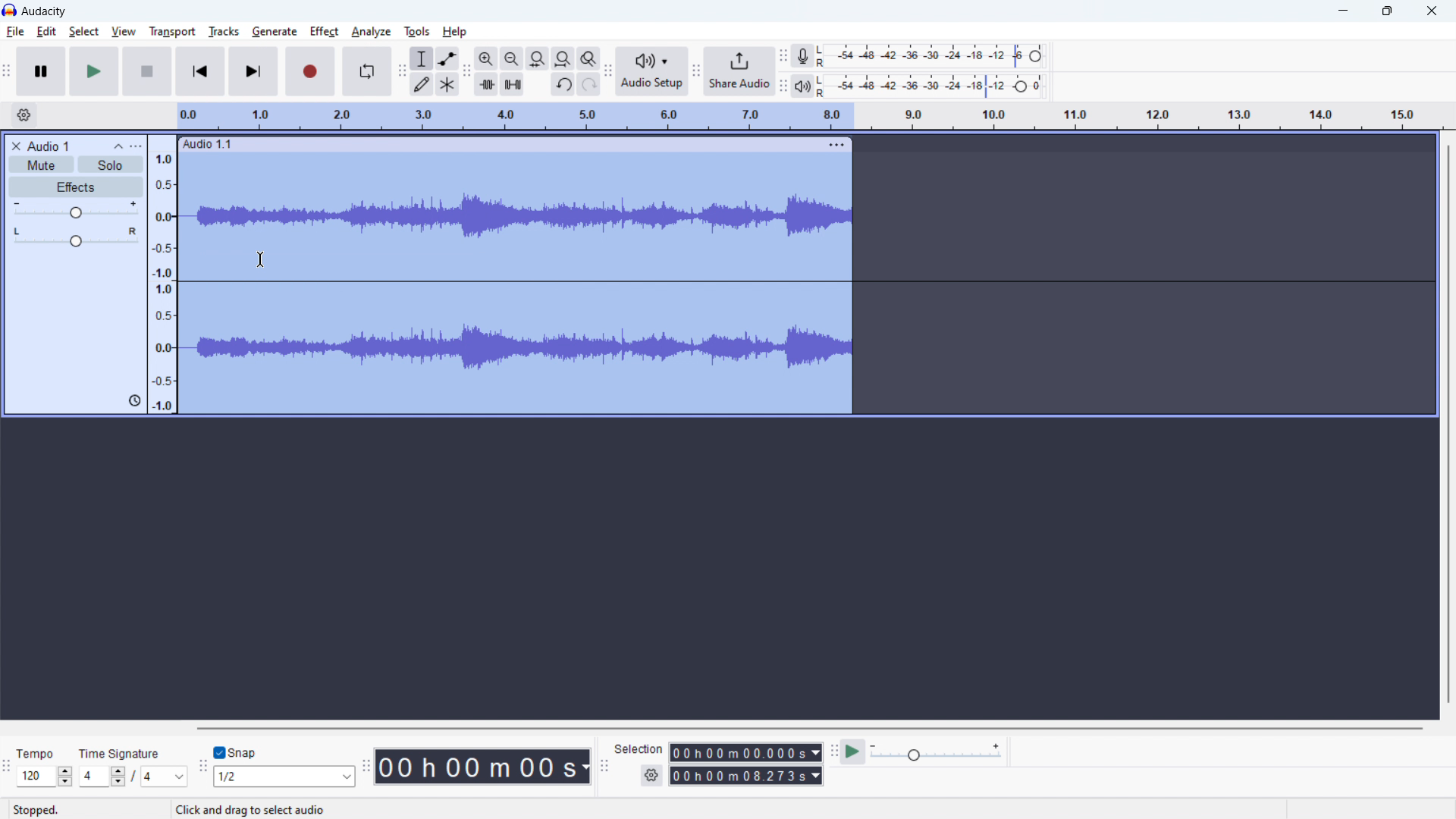 This screenshot has height=819, width=1456. What do you see at coordinates (563, 84) in the screenshot?
I see `undo` at bounding box center [563, 84].